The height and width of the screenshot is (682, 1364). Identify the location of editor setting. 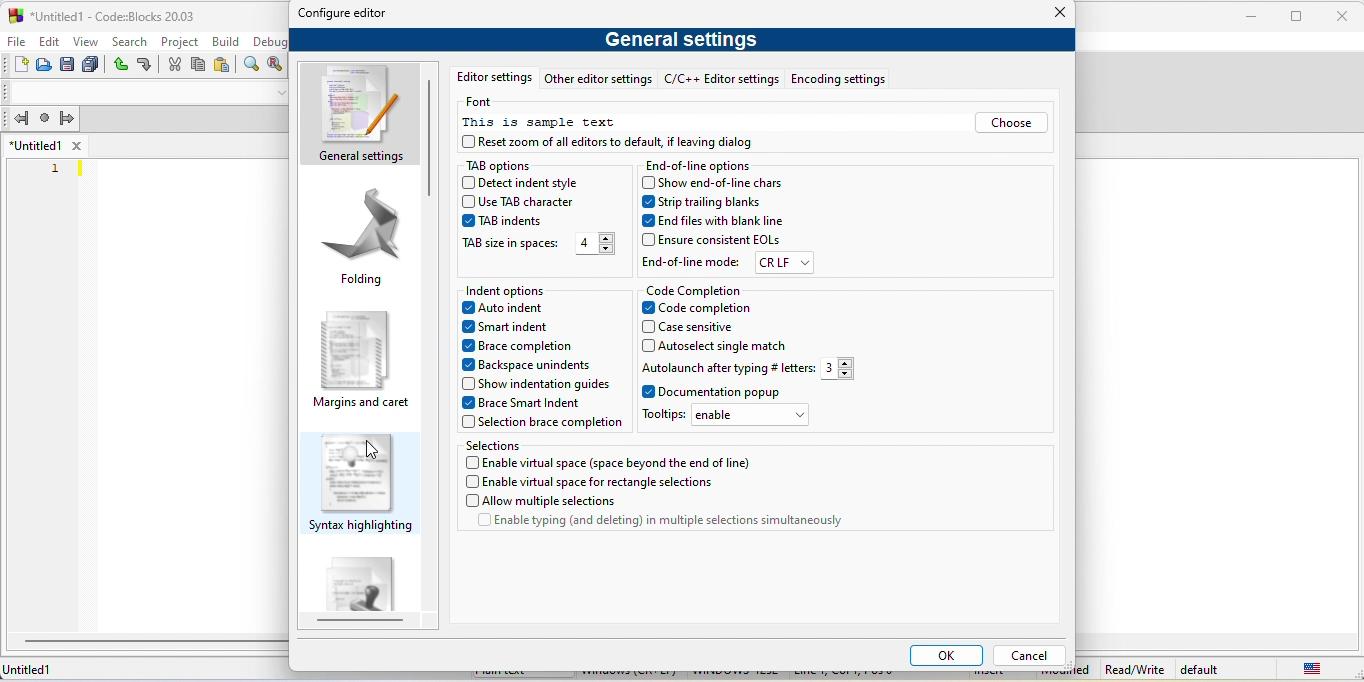
(496, 76).